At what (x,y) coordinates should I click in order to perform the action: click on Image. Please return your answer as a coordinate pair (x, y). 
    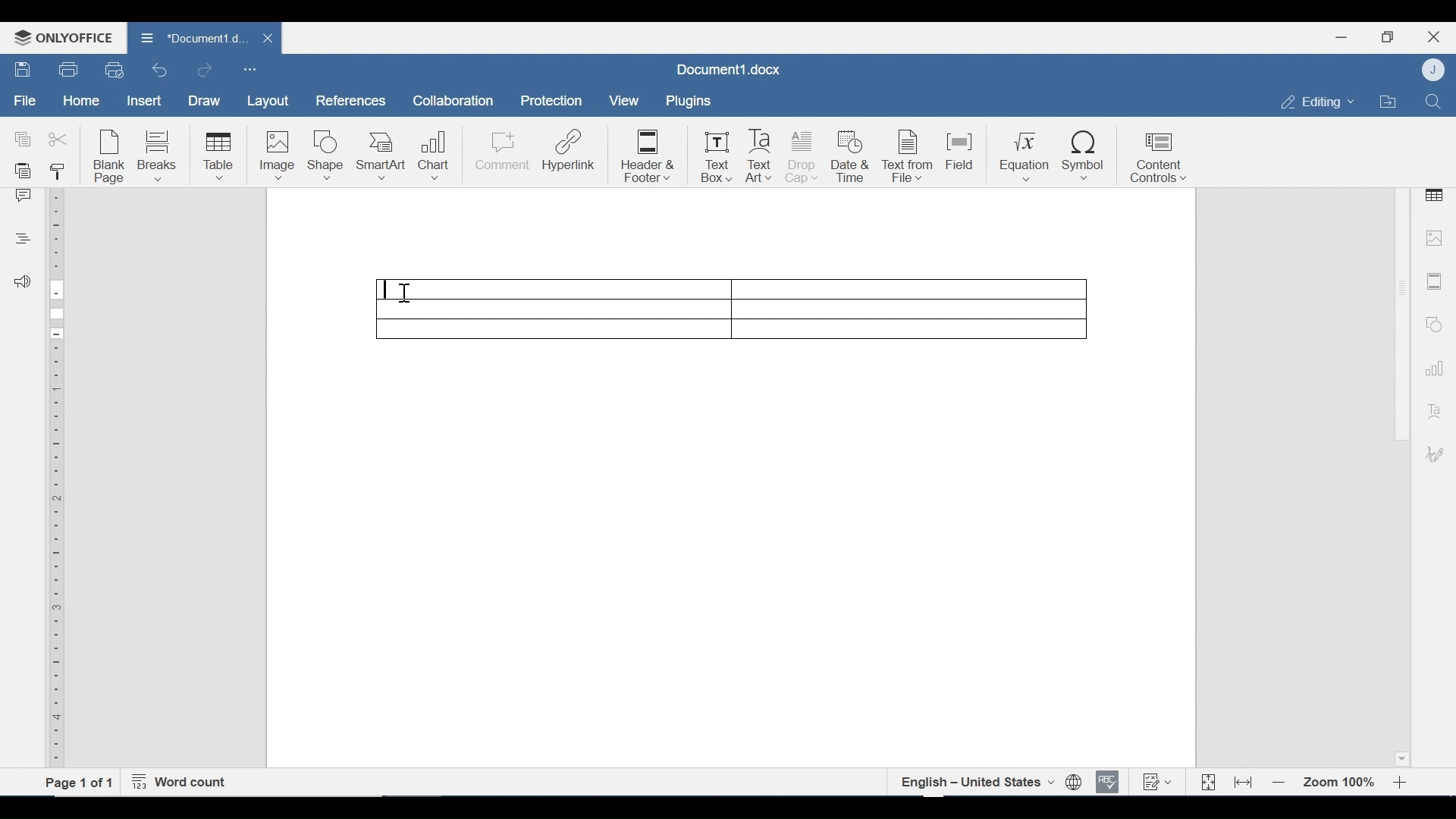
    Looking at the image, I should click on (276, 157).